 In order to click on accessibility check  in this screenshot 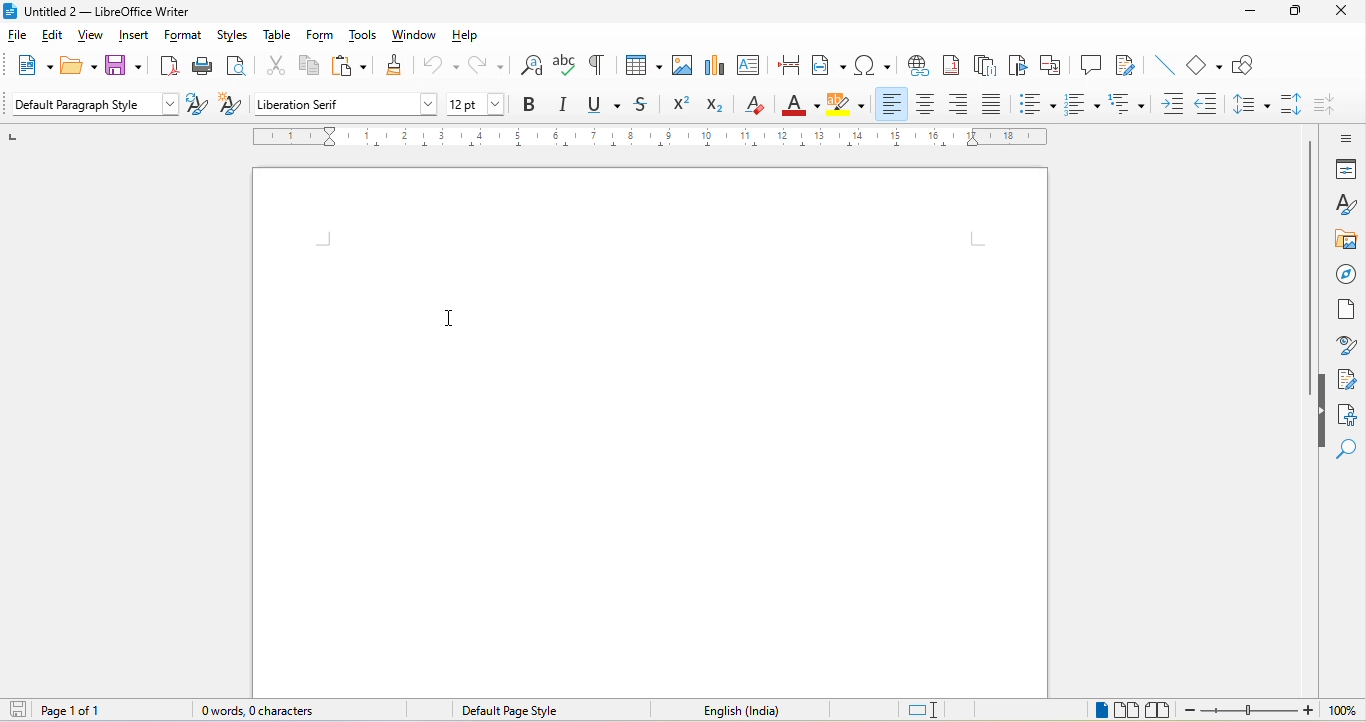, I will do `click(1349, 416)`.